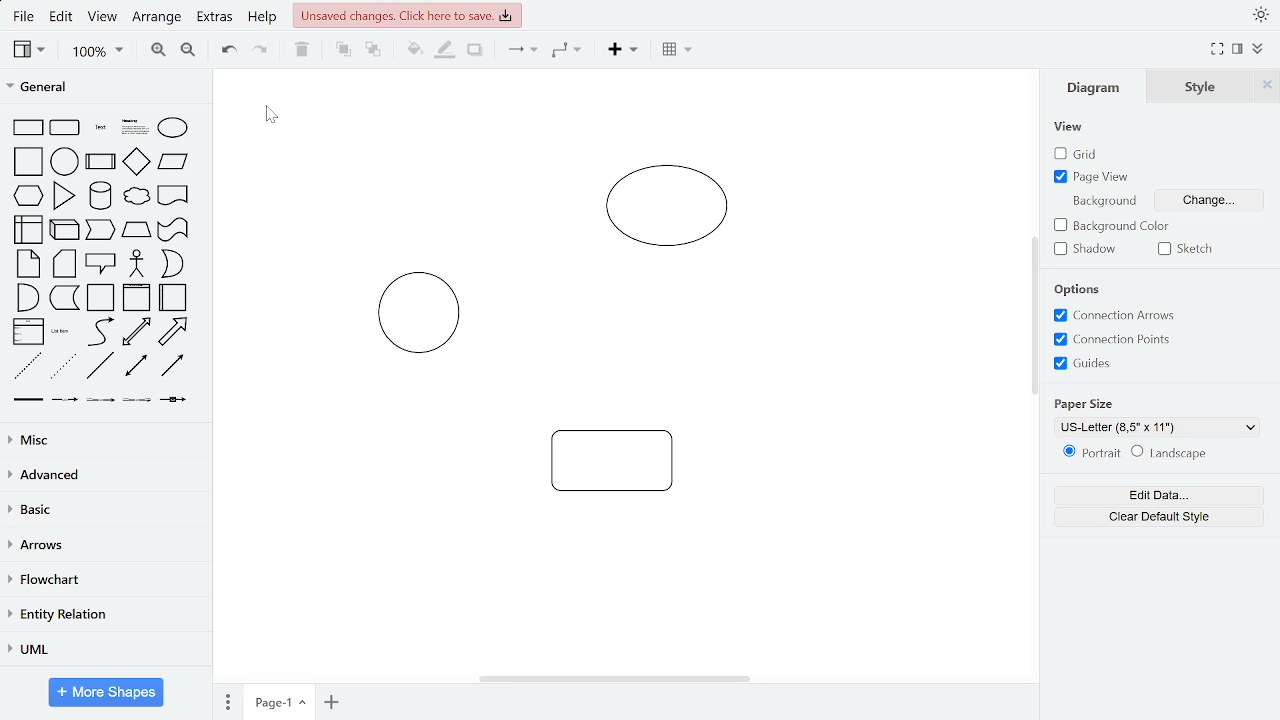  What do you see at coordinates (1258, 49) in the screenshot?
I see `collapse` at bounding box center [1258, 49].